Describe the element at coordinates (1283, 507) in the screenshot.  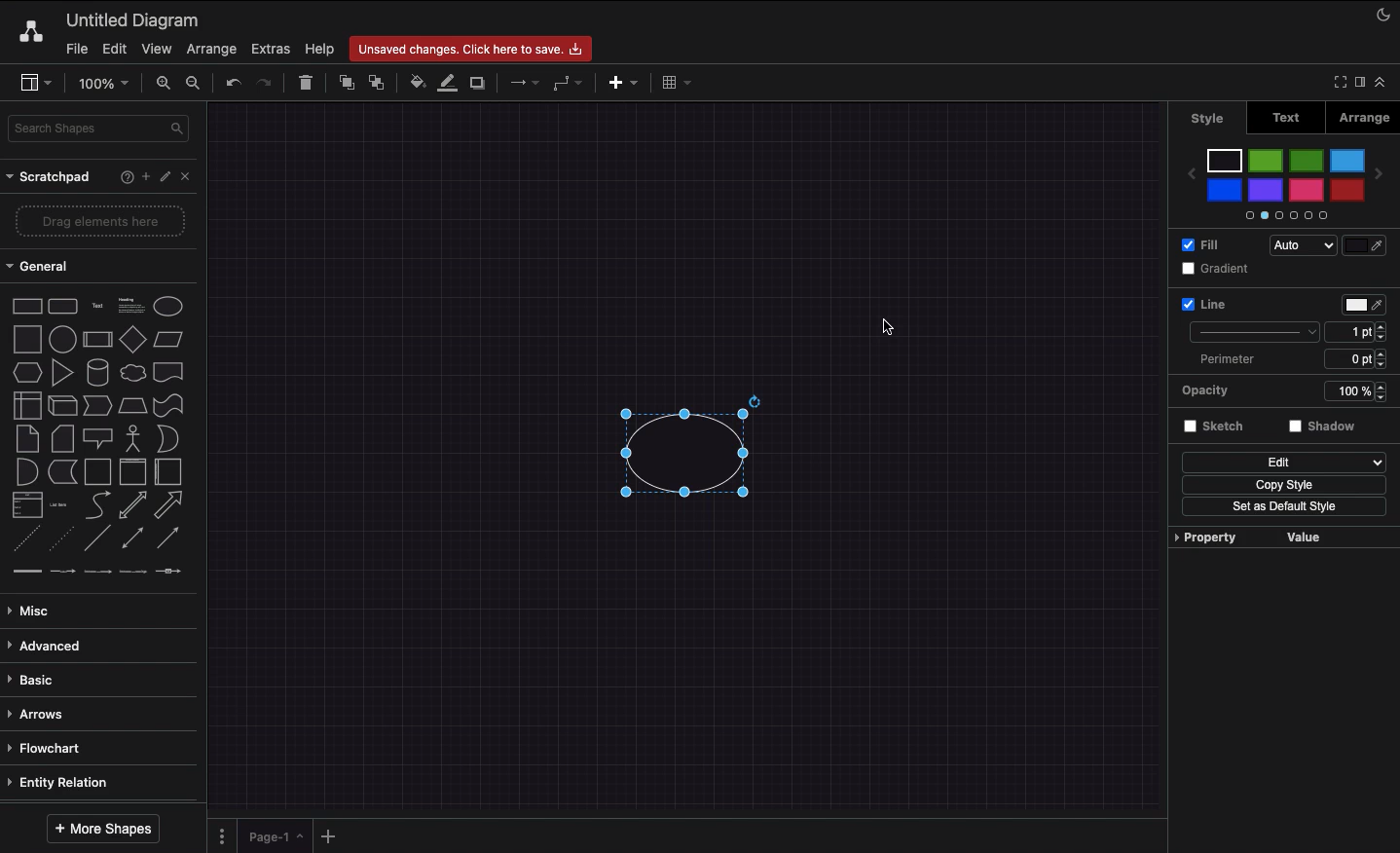
I see `Set as default style` at that location.